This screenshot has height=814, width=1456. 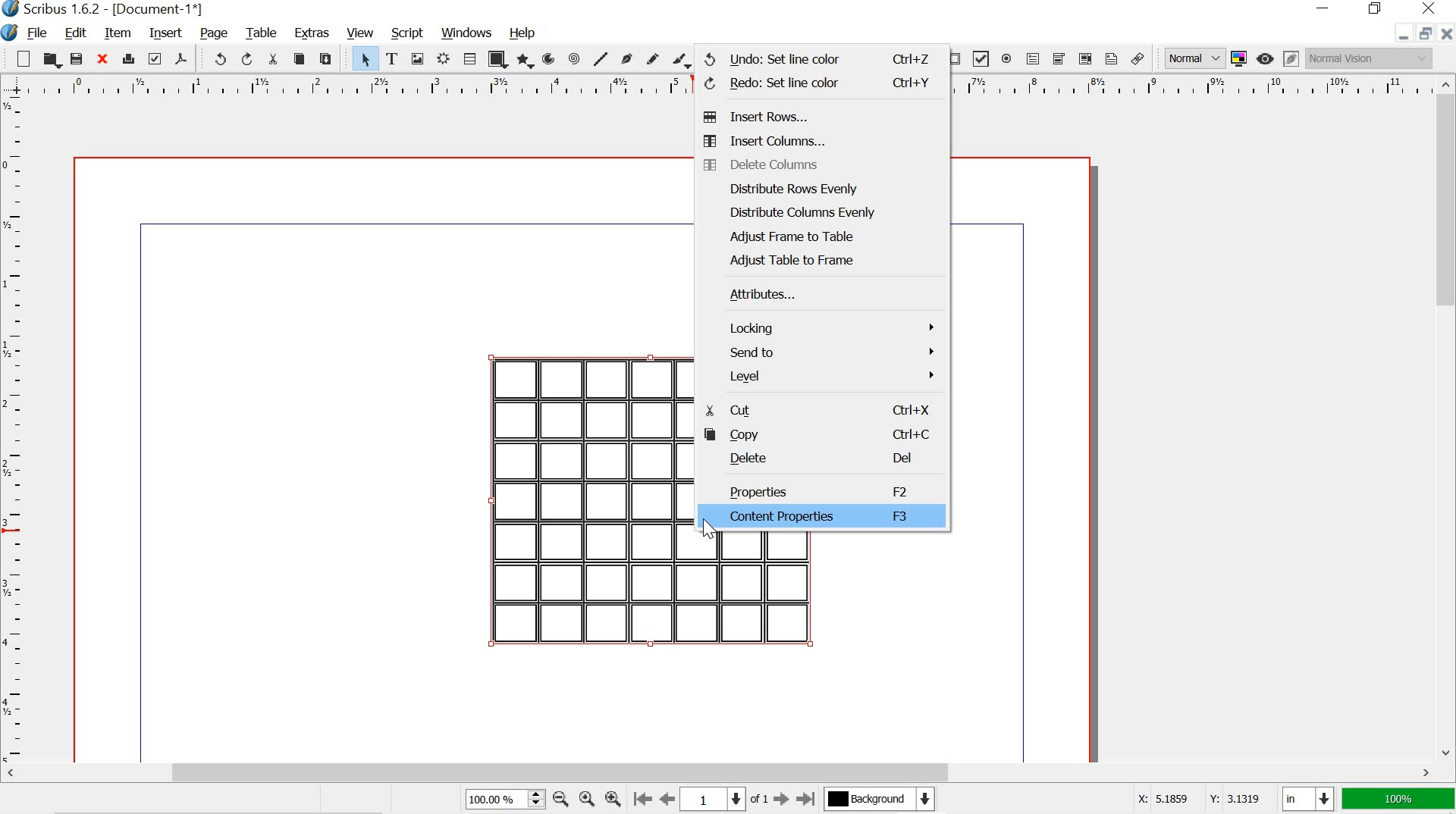 What do you see at coordinates (472, 58) in the screenshot?
I see `table` at bounding box center [472, 58].